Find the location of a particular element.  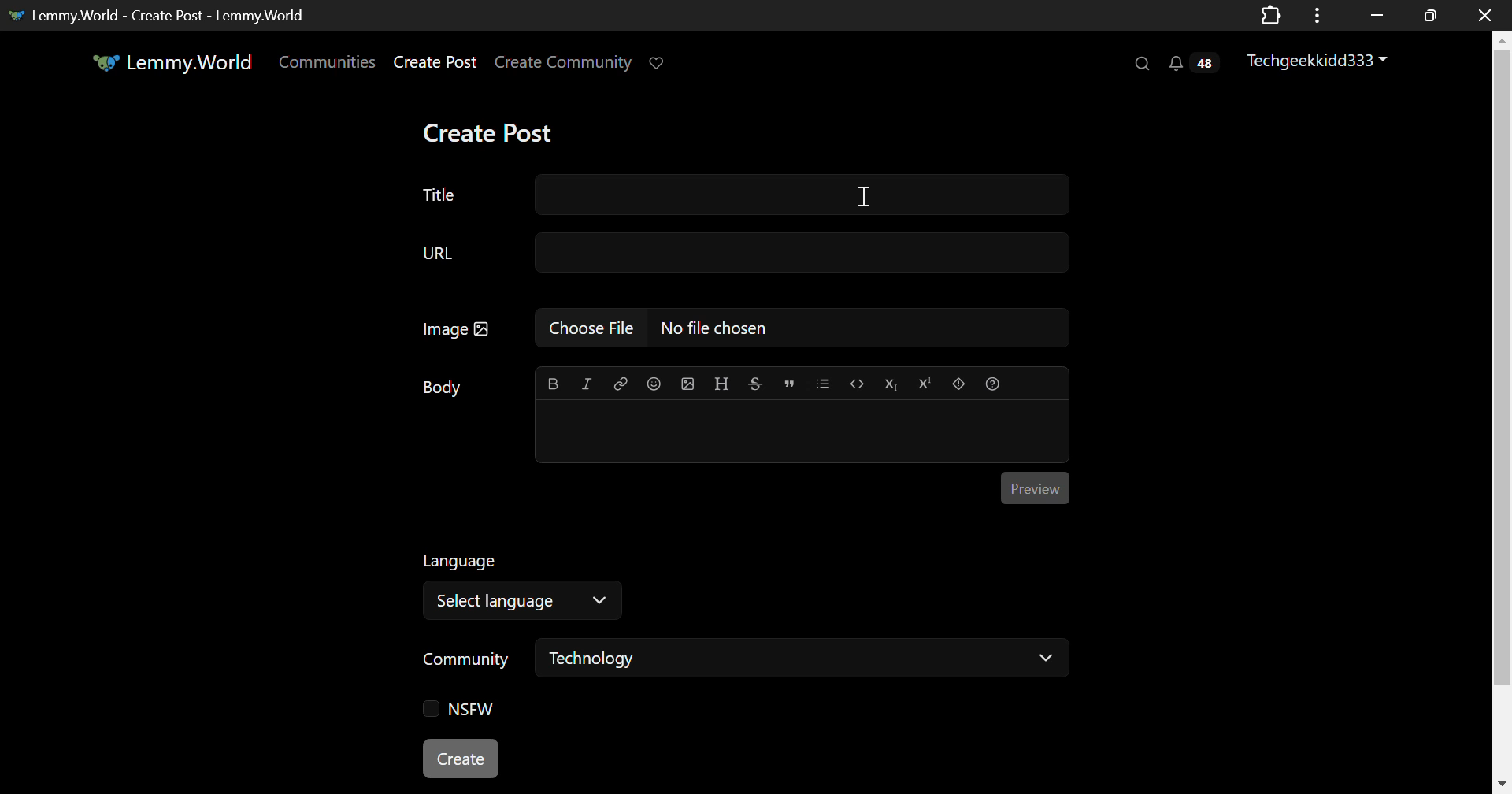

NSFW is located at coordinates (464, 710).